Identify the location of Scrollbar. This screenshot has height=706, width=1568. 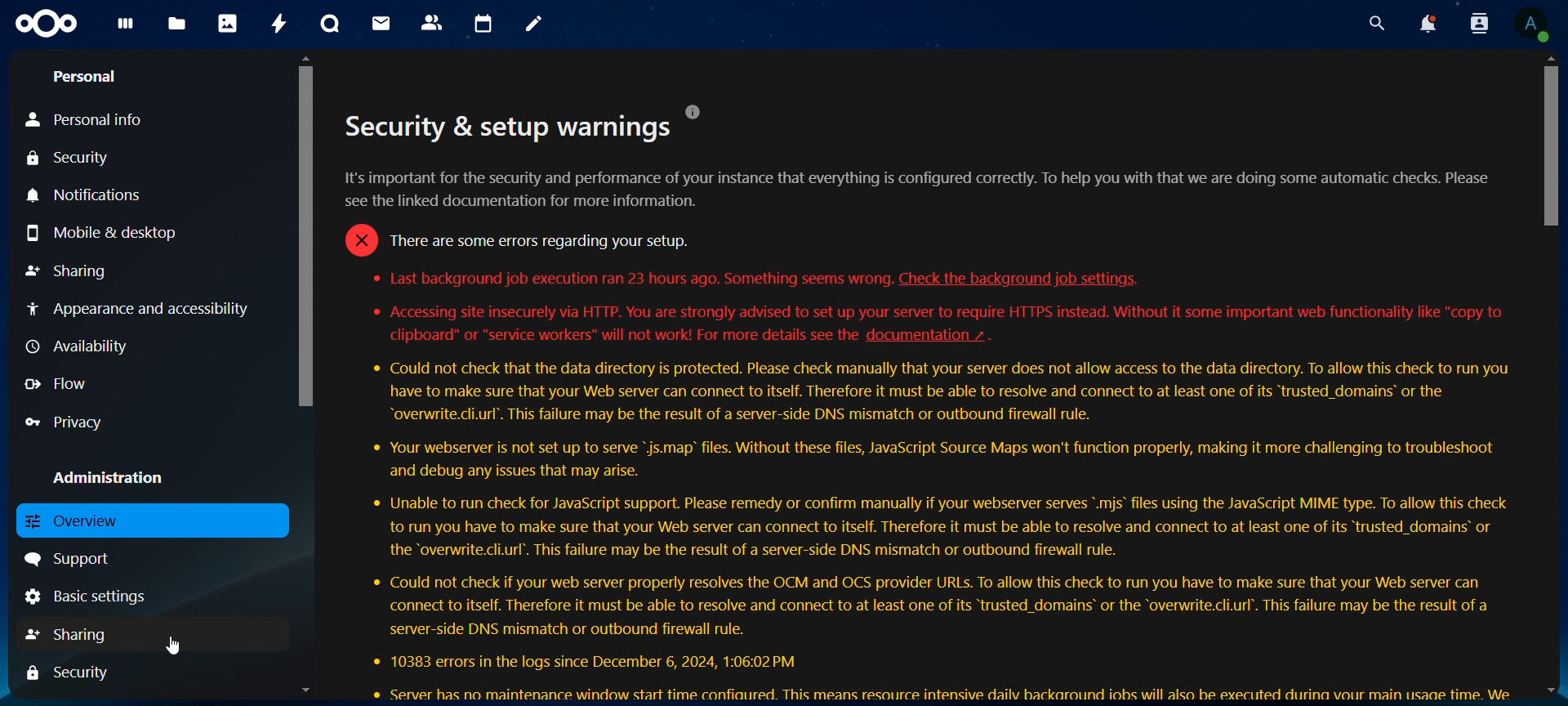
(1551, 377).